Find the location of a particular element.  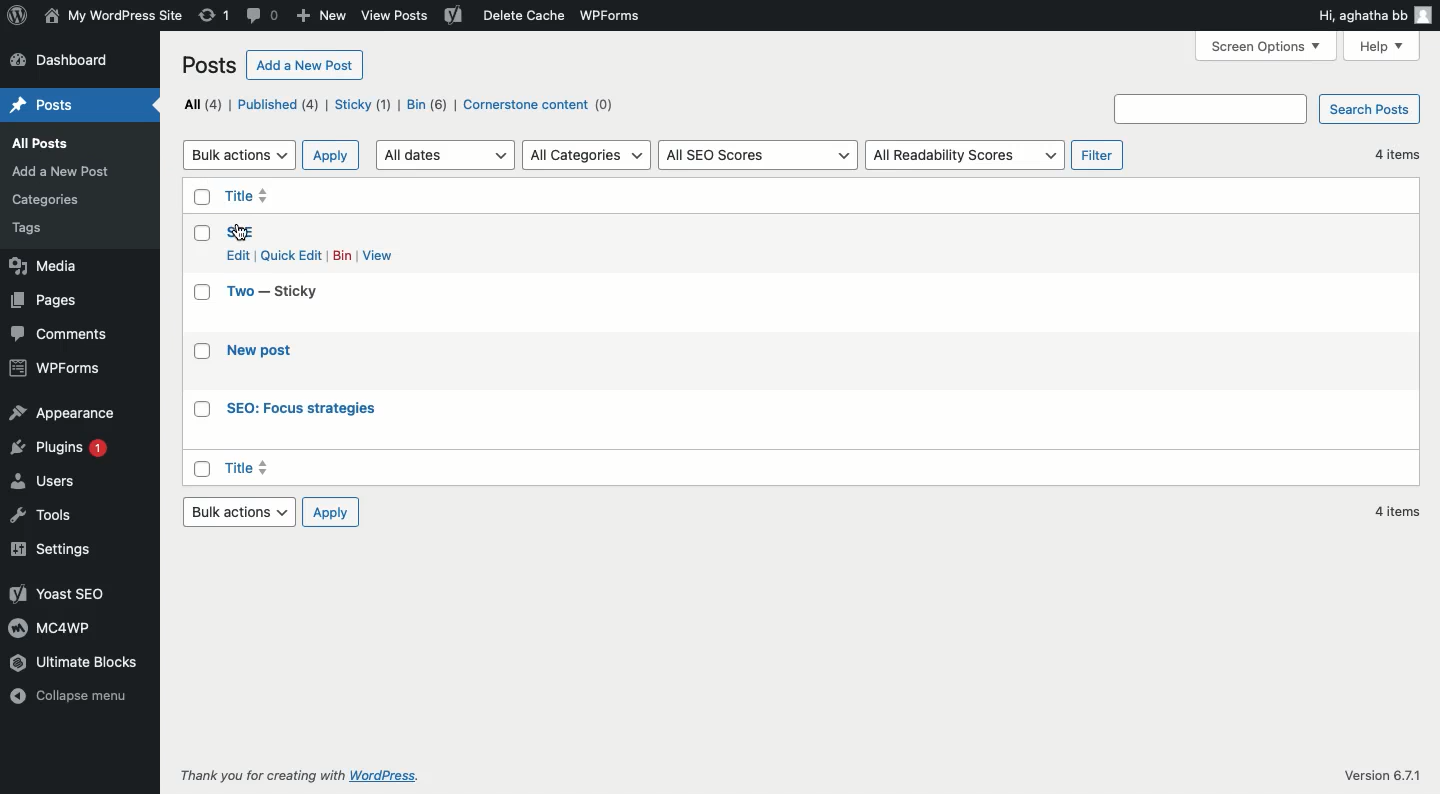

Ultimate Blocks is located at coordinates (85, 663).